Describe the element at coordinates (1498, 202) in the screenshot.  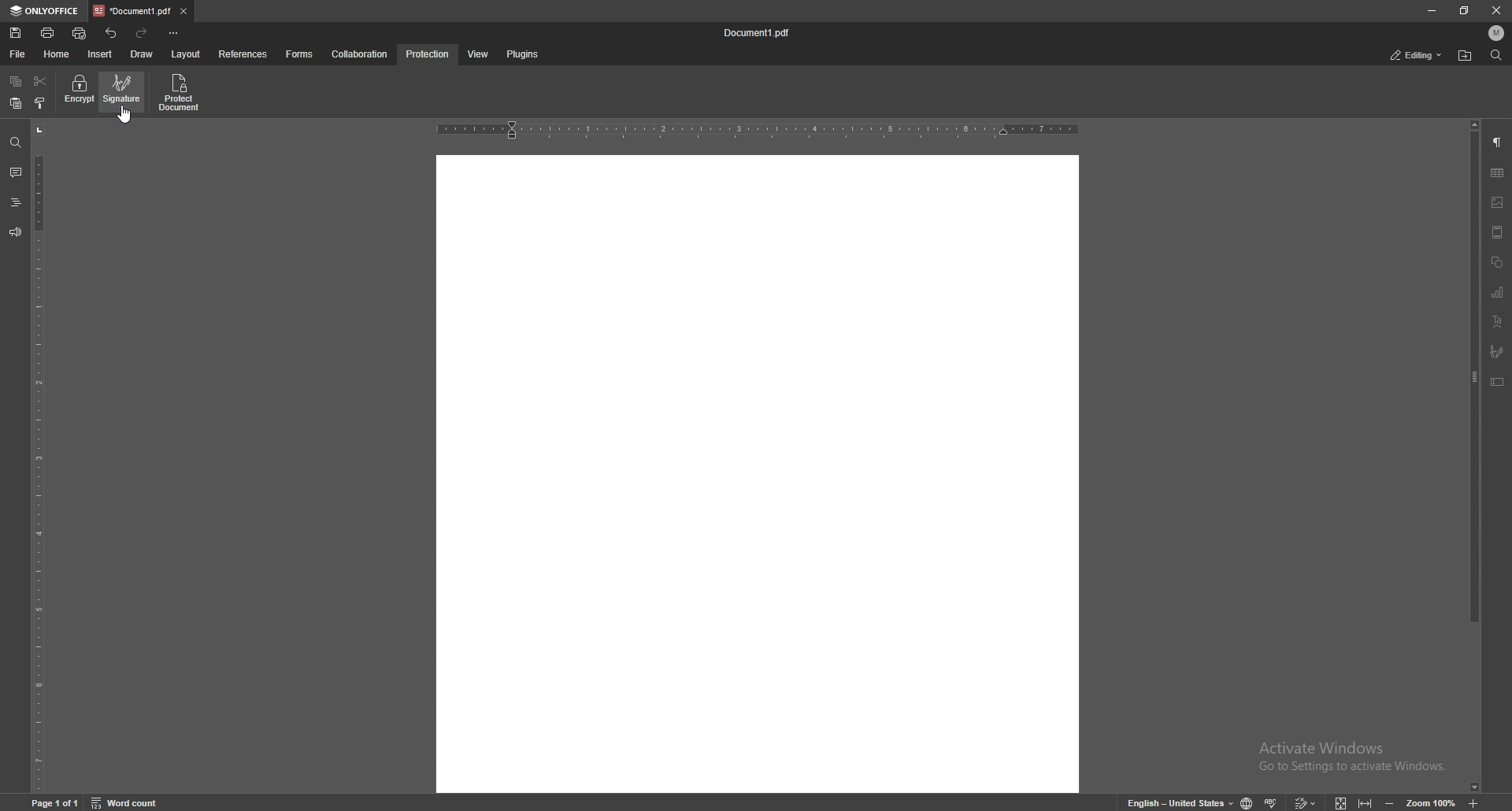
I see `image` at that location.